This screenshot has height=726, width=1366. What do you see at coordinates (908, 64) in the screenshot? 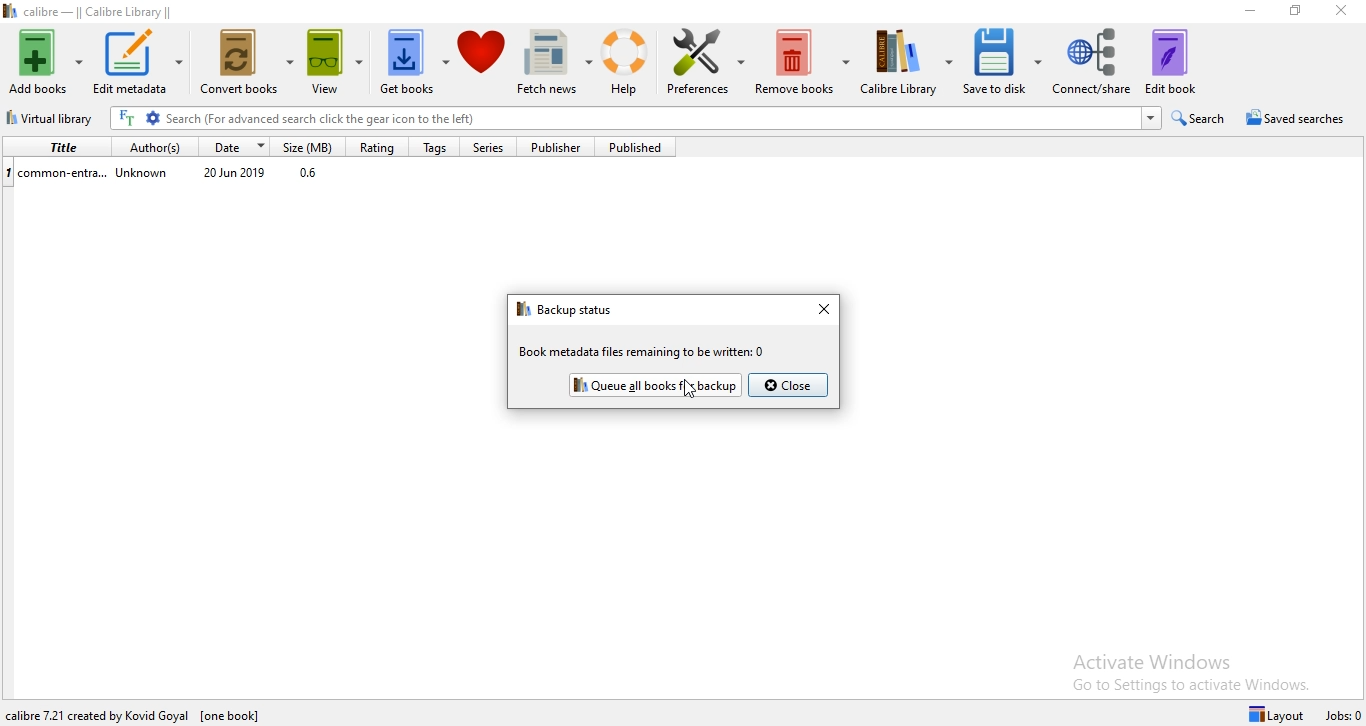
I see `Calibre Library` at bounding box center [908, 64].